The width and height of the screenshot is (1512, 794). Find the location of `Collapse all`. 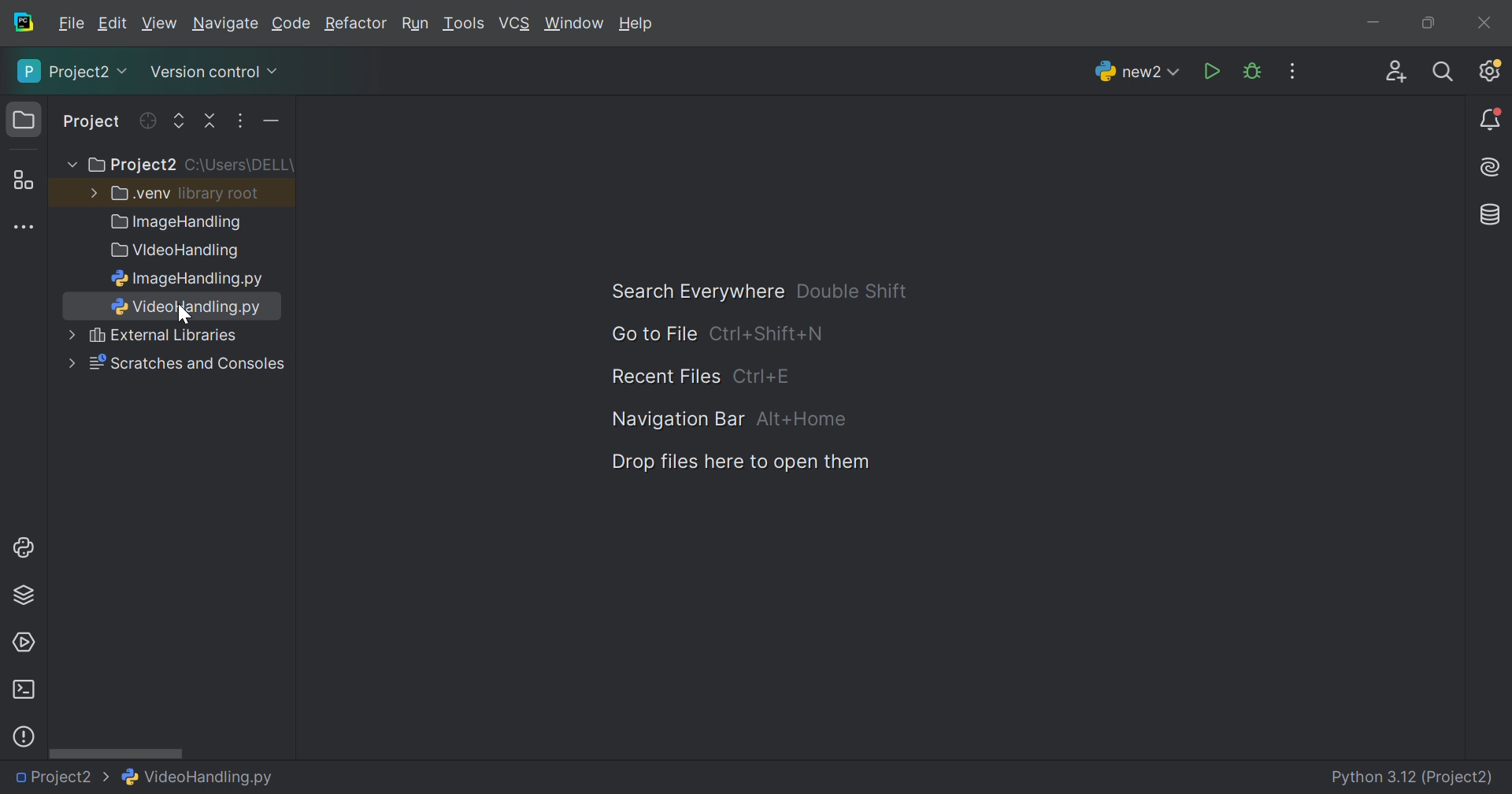

Collapse all is located at coordinates (212, 121).